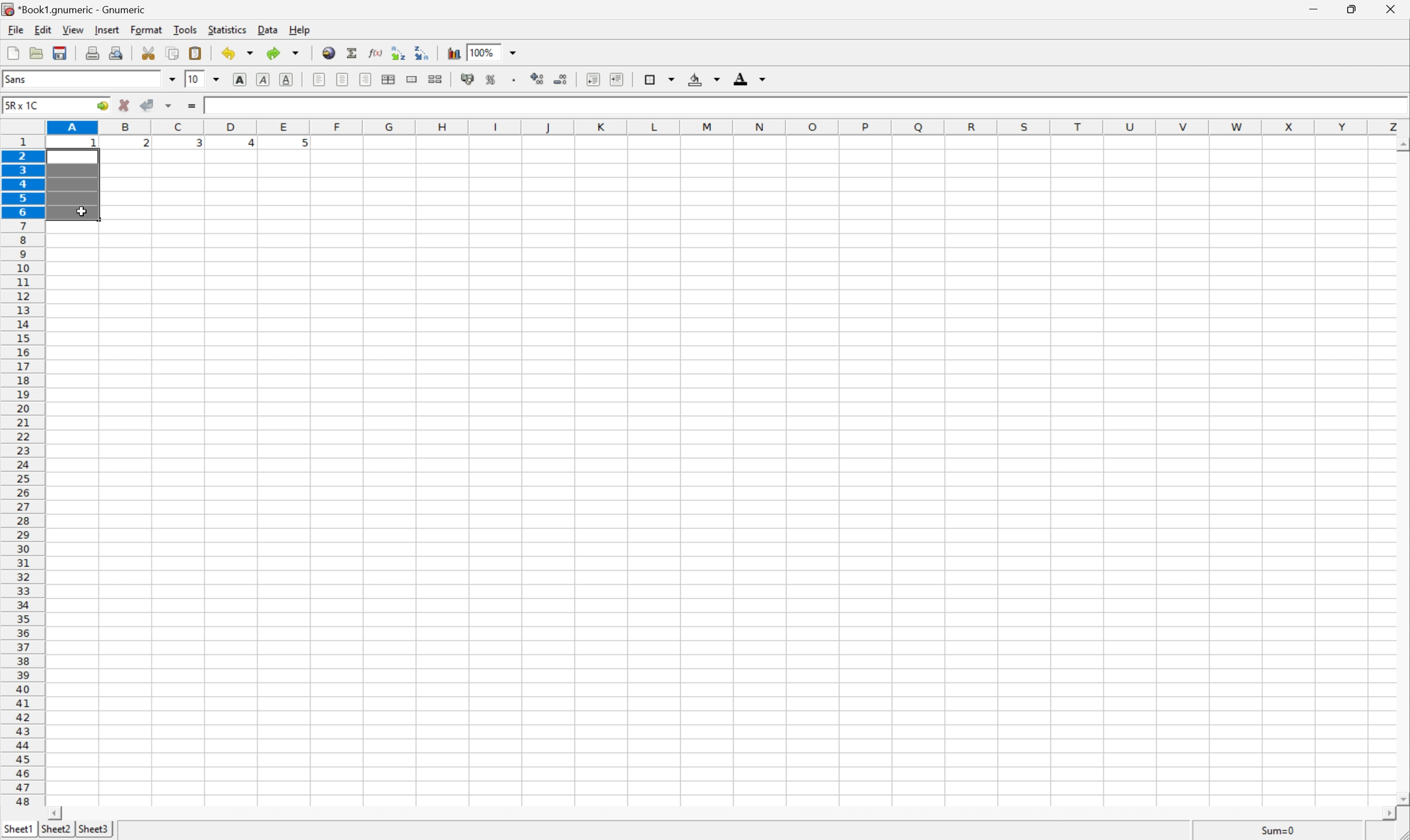 This screenshot has width=1410, height=840. I want to click on insert hyperlink, so click(329, 52).